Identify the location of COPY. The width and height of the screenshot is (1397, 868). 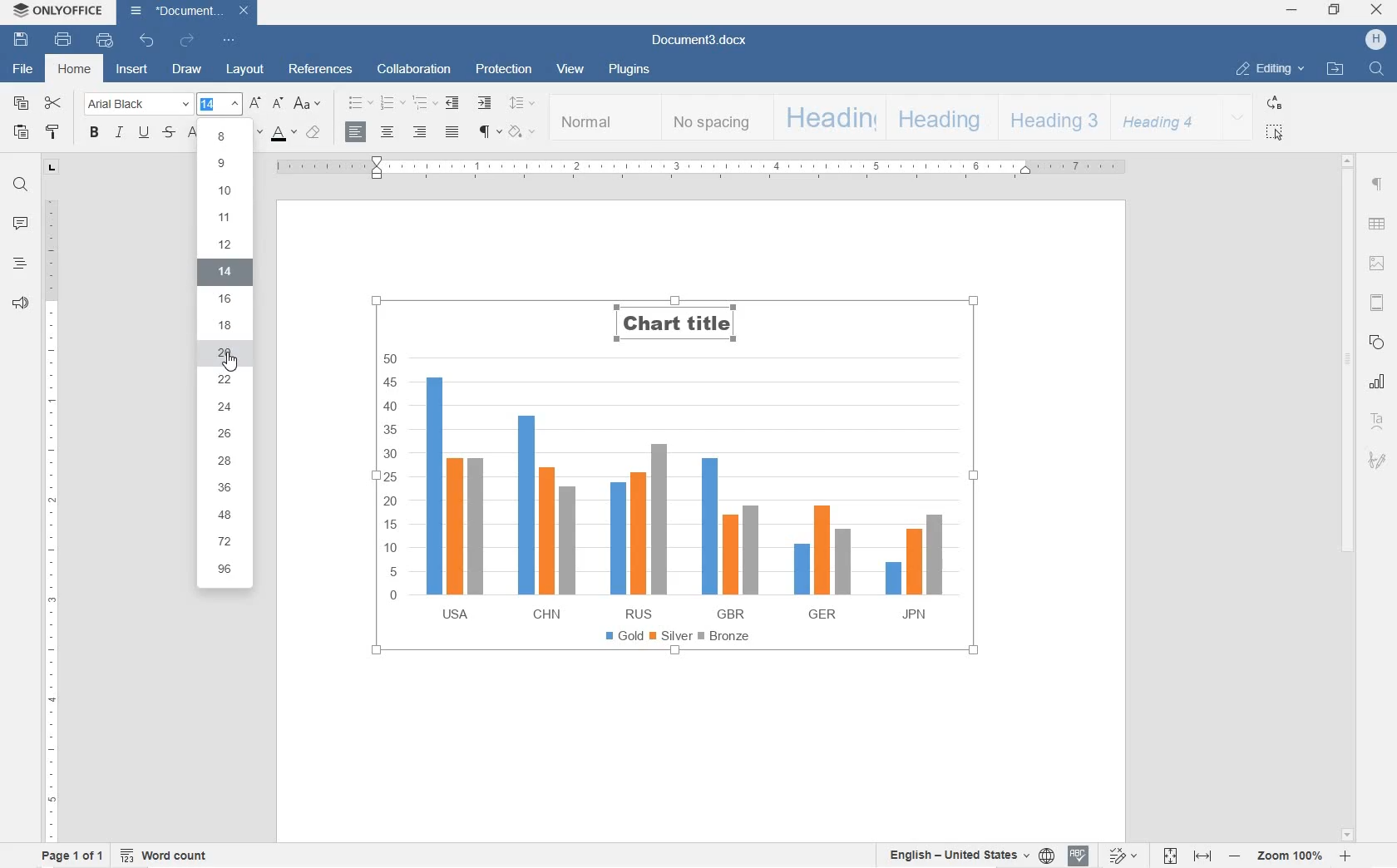
(20, 104).